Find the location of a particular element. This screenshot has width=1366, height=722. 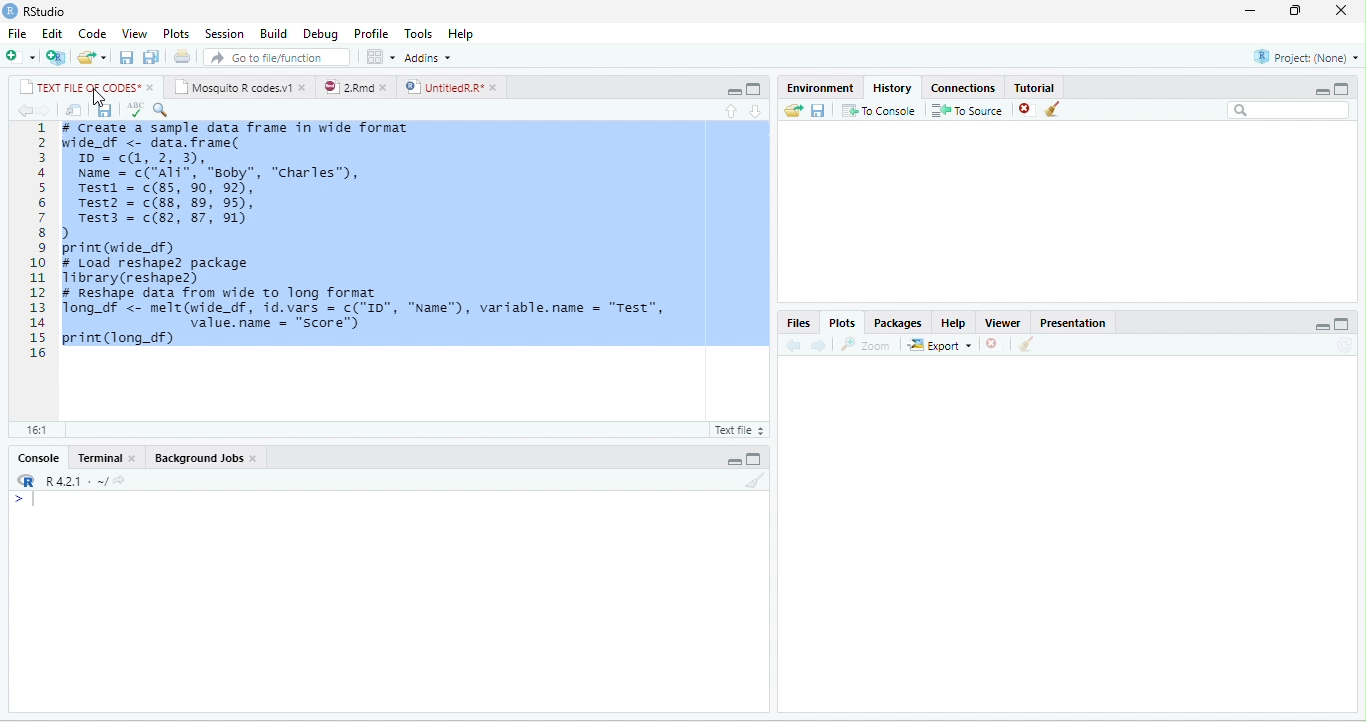

Plots is located at coordinates (843, 323).